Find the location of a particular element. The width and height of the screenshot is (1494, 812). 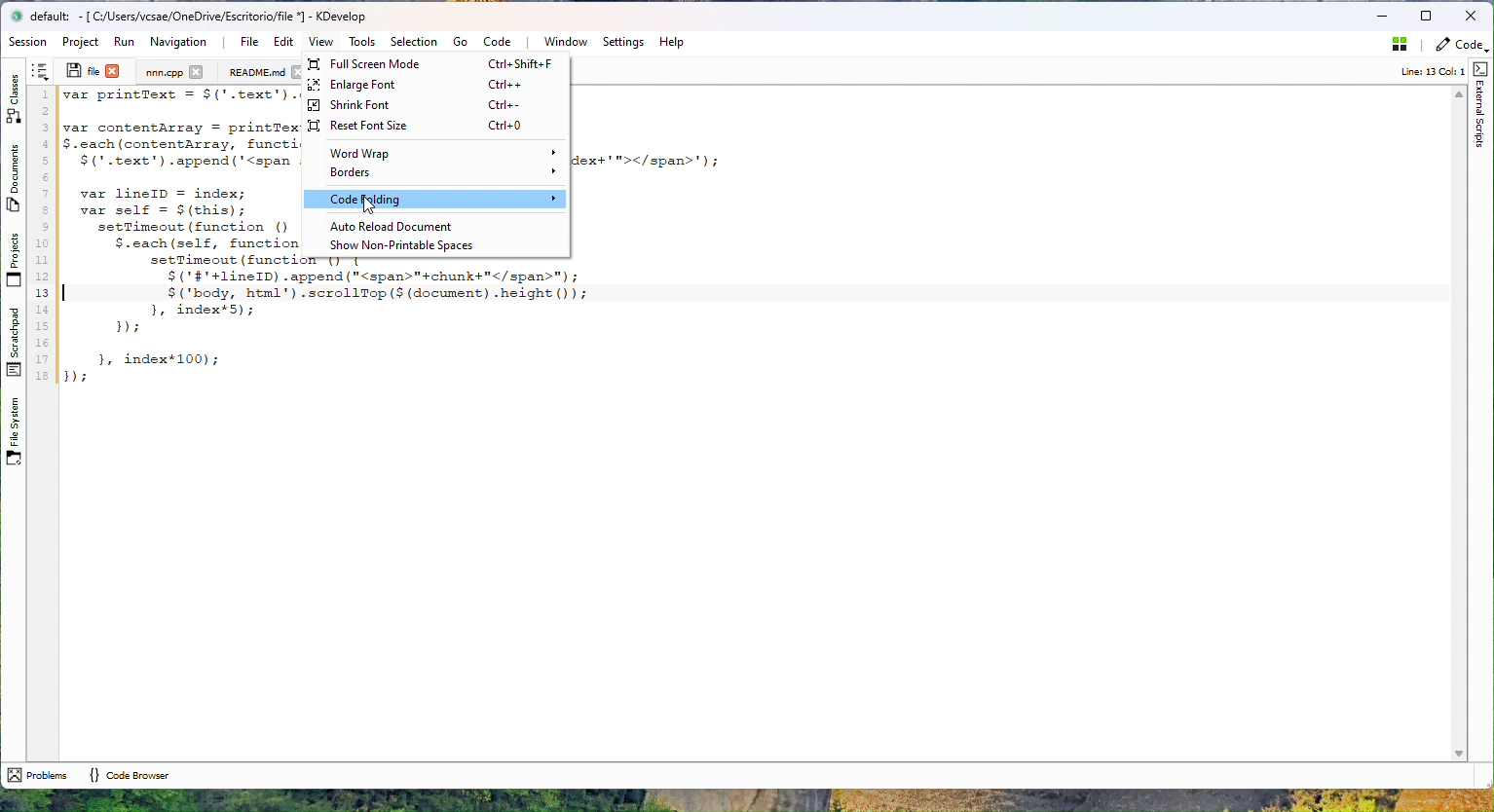

Project is located at coordinates (84, 42).